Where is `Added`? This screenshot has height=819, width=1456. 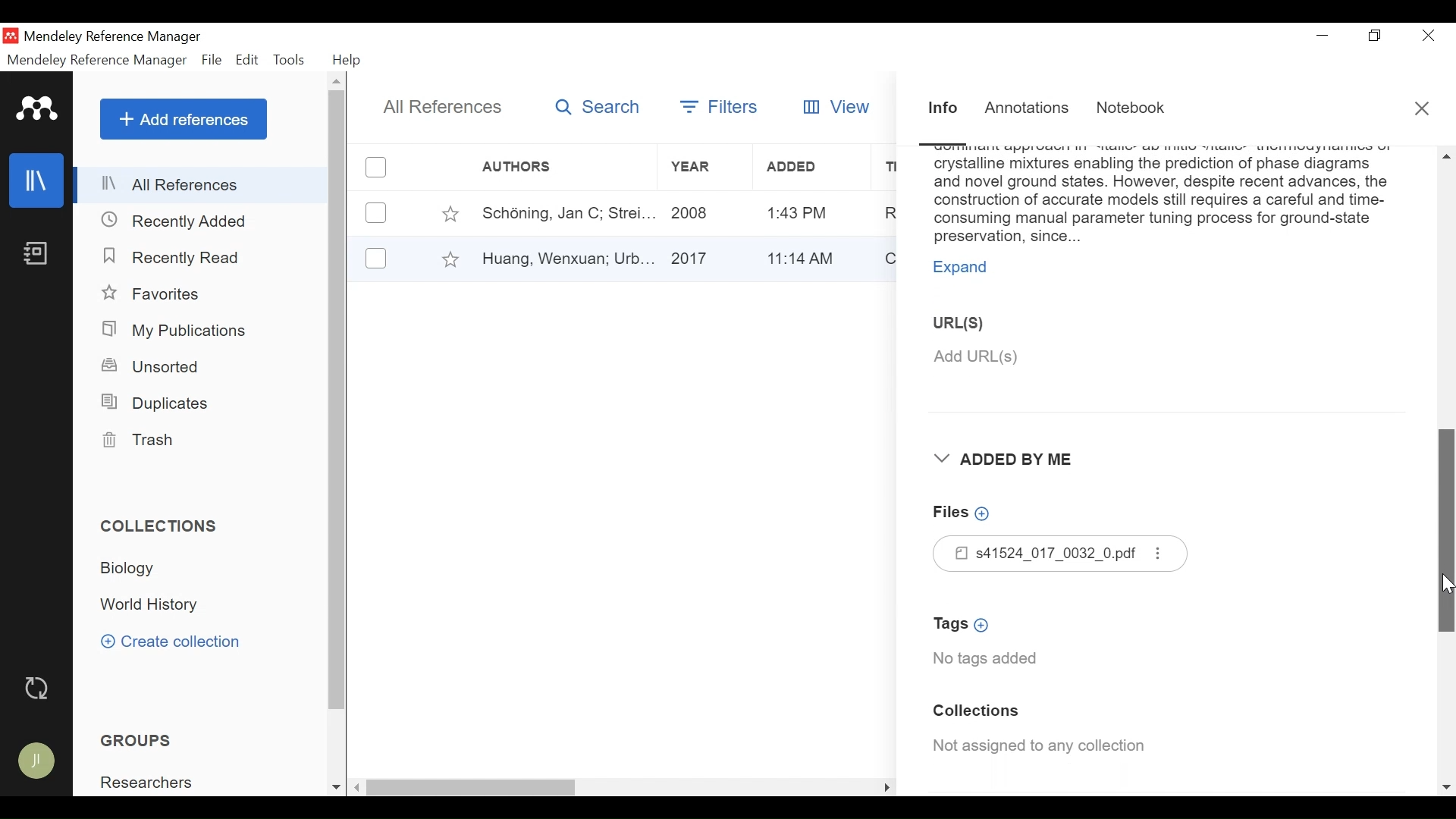 Added is located at coordinates (807, 256).